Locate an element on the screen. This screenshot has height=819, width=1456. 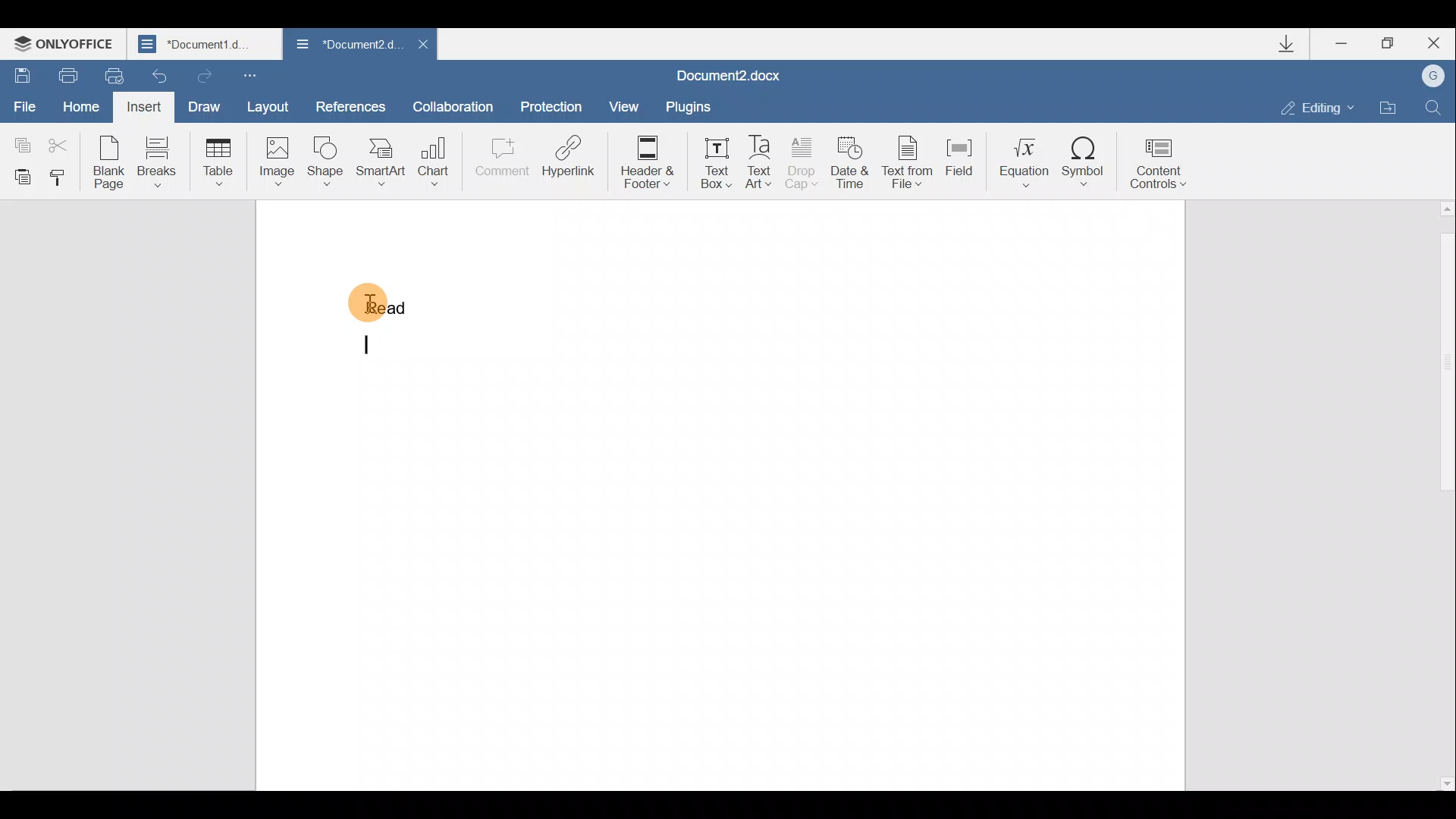
Layout is located at coordinates (276, 109).